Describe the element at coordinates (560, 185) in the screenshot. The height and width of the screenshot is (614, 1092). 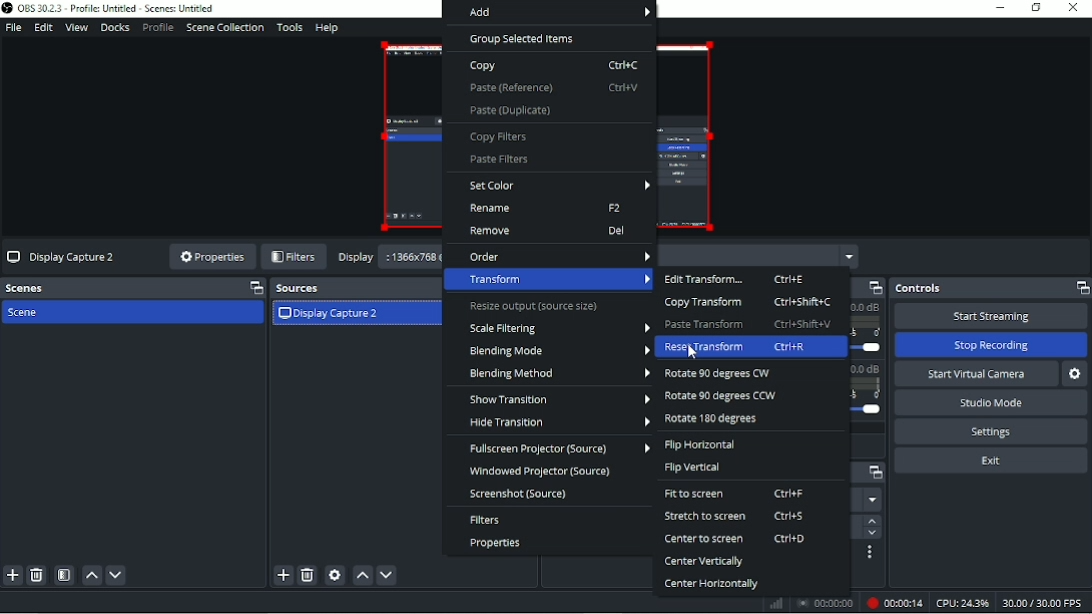
I see `Set color` at that location.